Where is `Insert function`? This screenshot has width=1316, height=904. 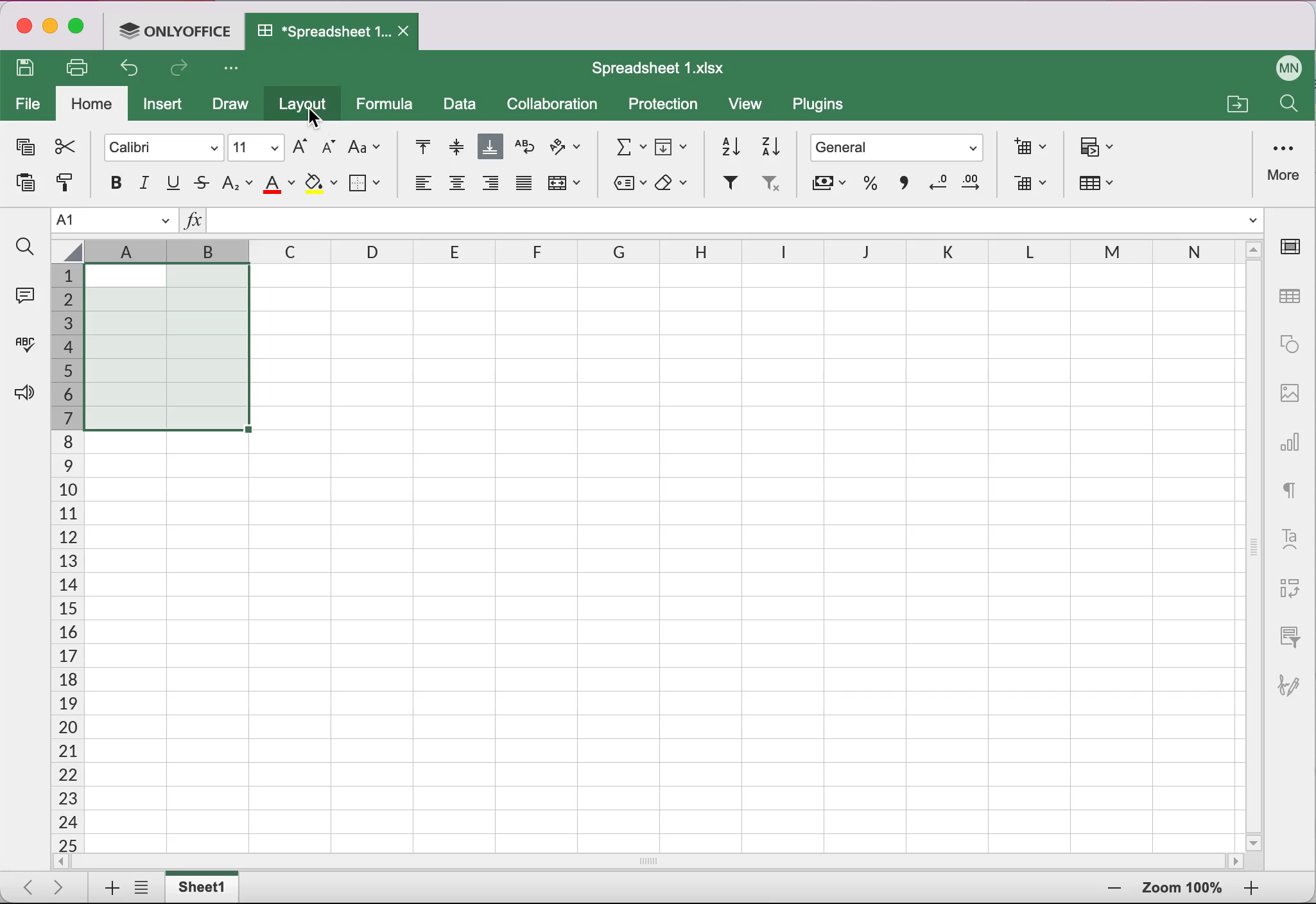
Insert function is located at coordinates (193, 223).